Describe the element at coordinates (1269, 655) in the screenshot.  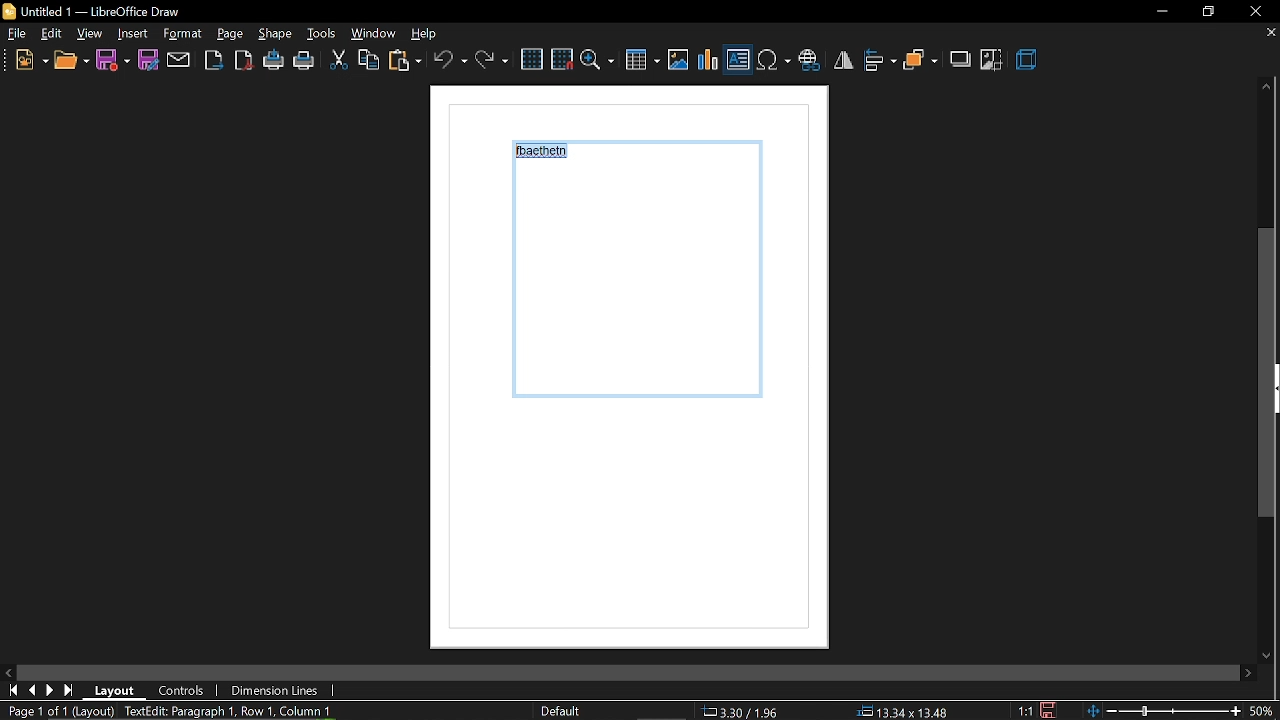
I see `Move down` at that location.